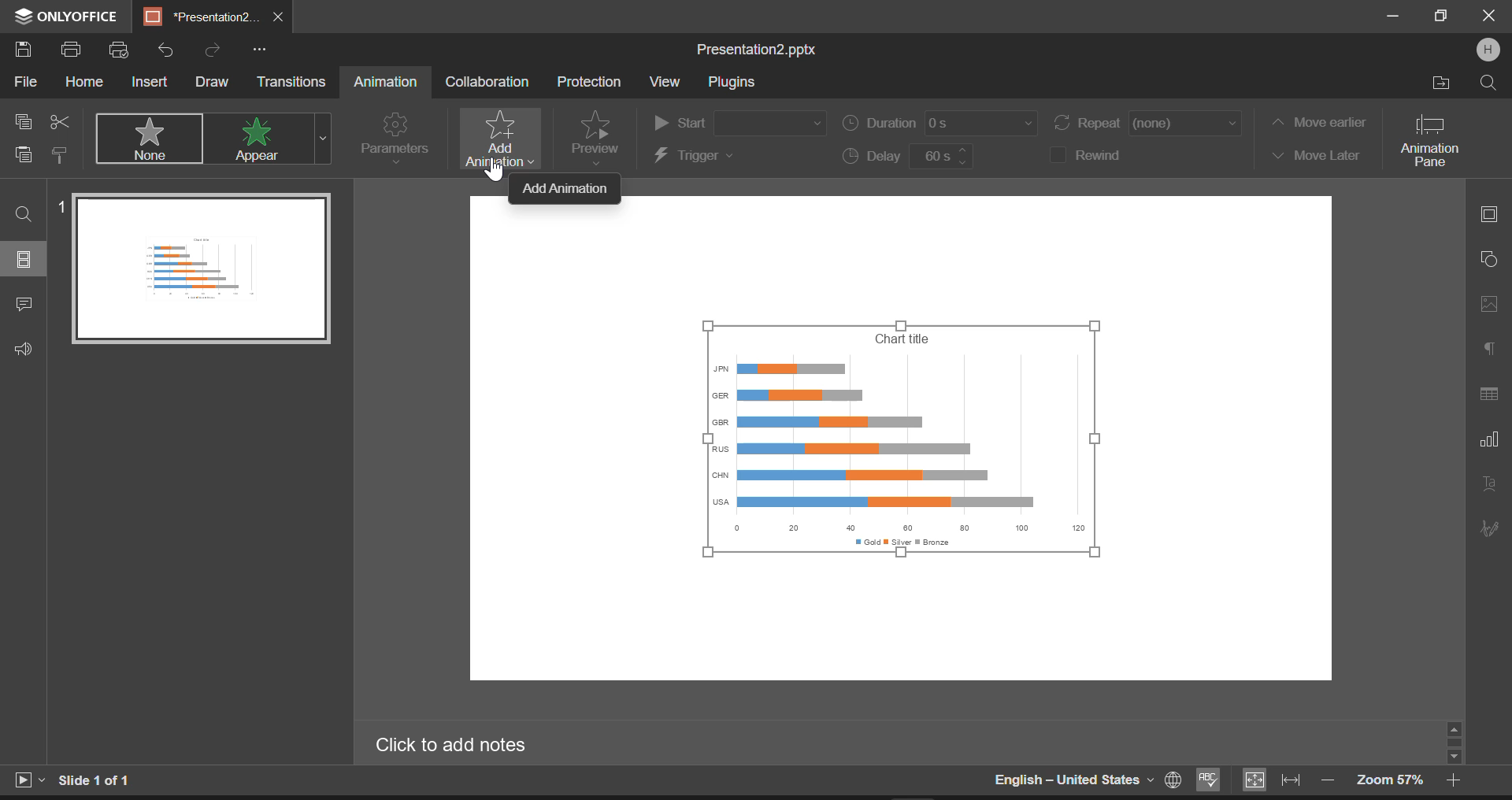  I want to click on Close, so click(1488, 17).